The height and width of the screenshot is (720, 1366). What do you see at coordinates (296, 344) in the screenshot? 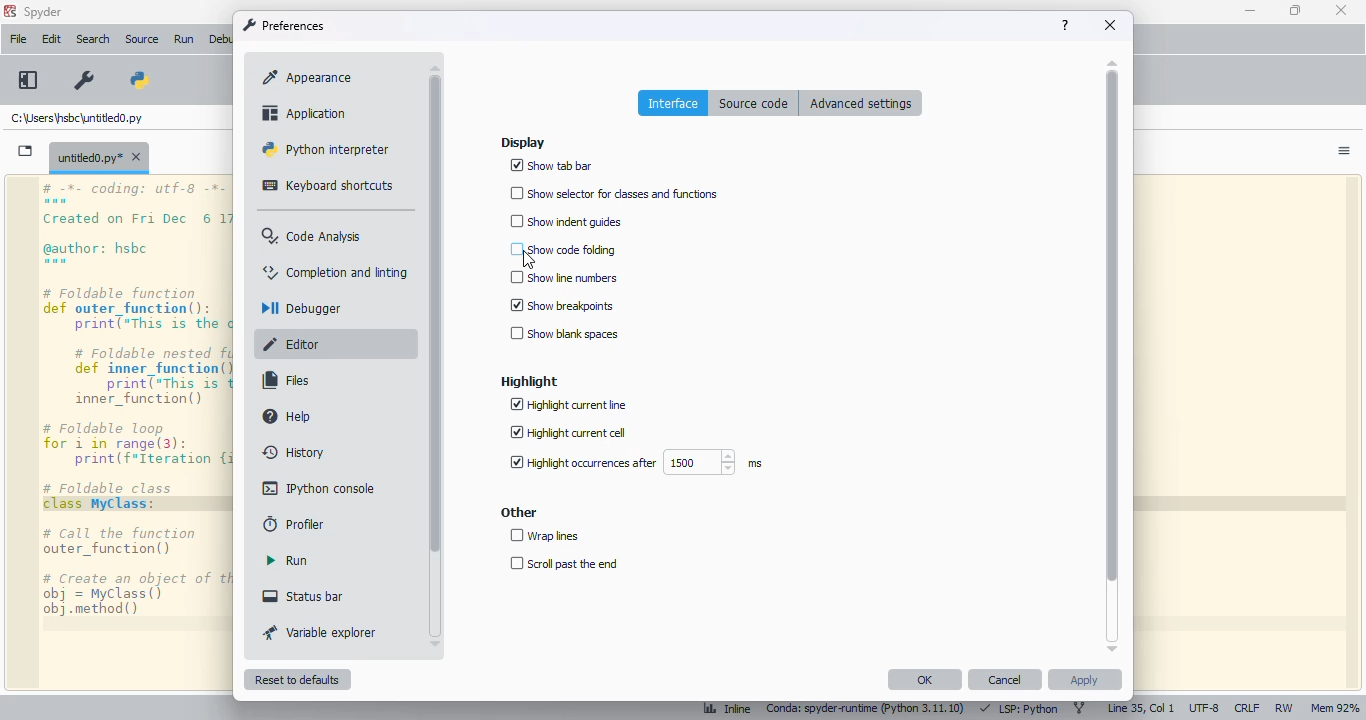
I see `editor` at bounding box center [296, 344].